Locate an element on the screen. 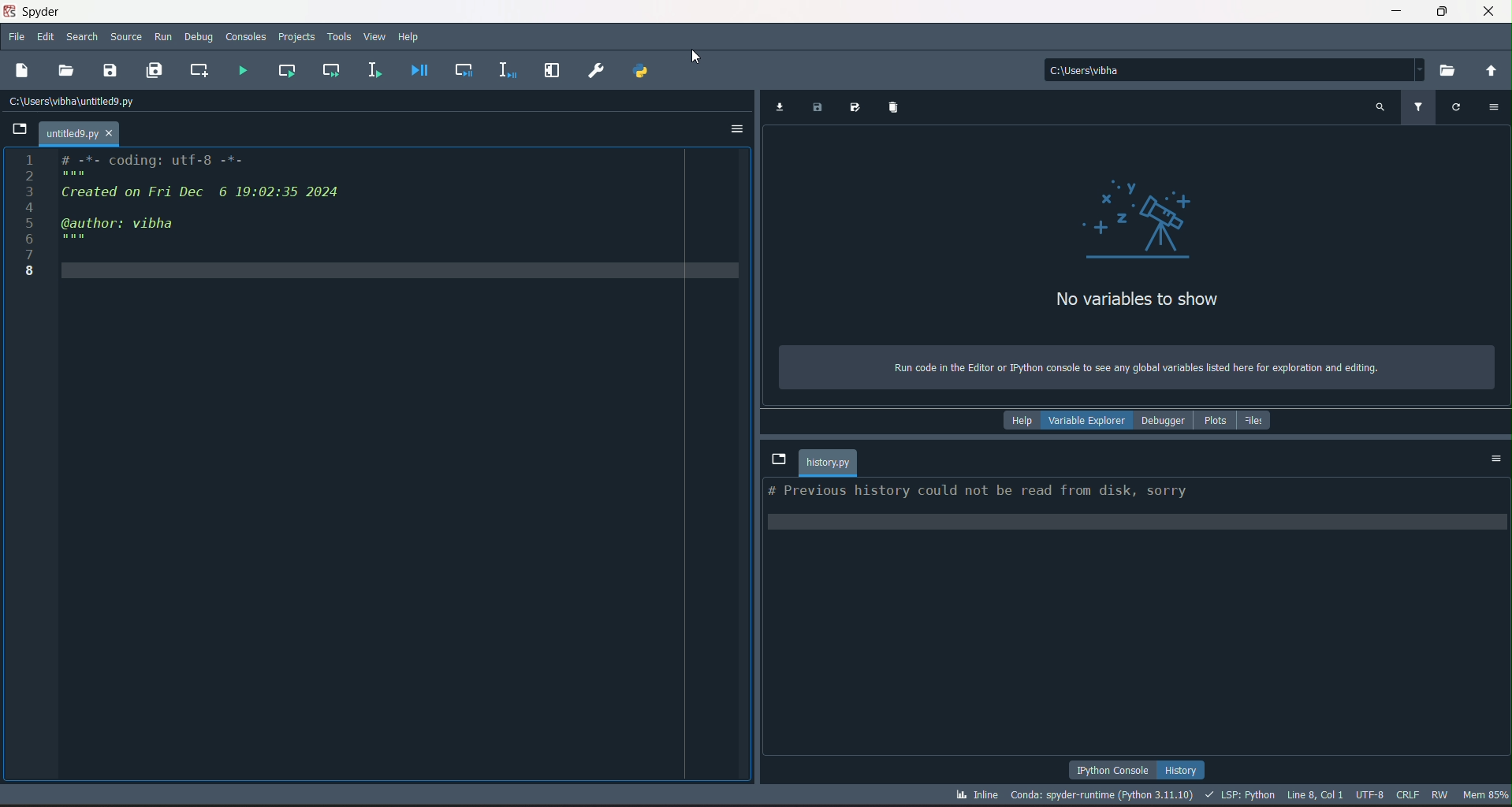 This screenshot has width=1512, height=807. browse tabs is located at coordinates (778, 460).